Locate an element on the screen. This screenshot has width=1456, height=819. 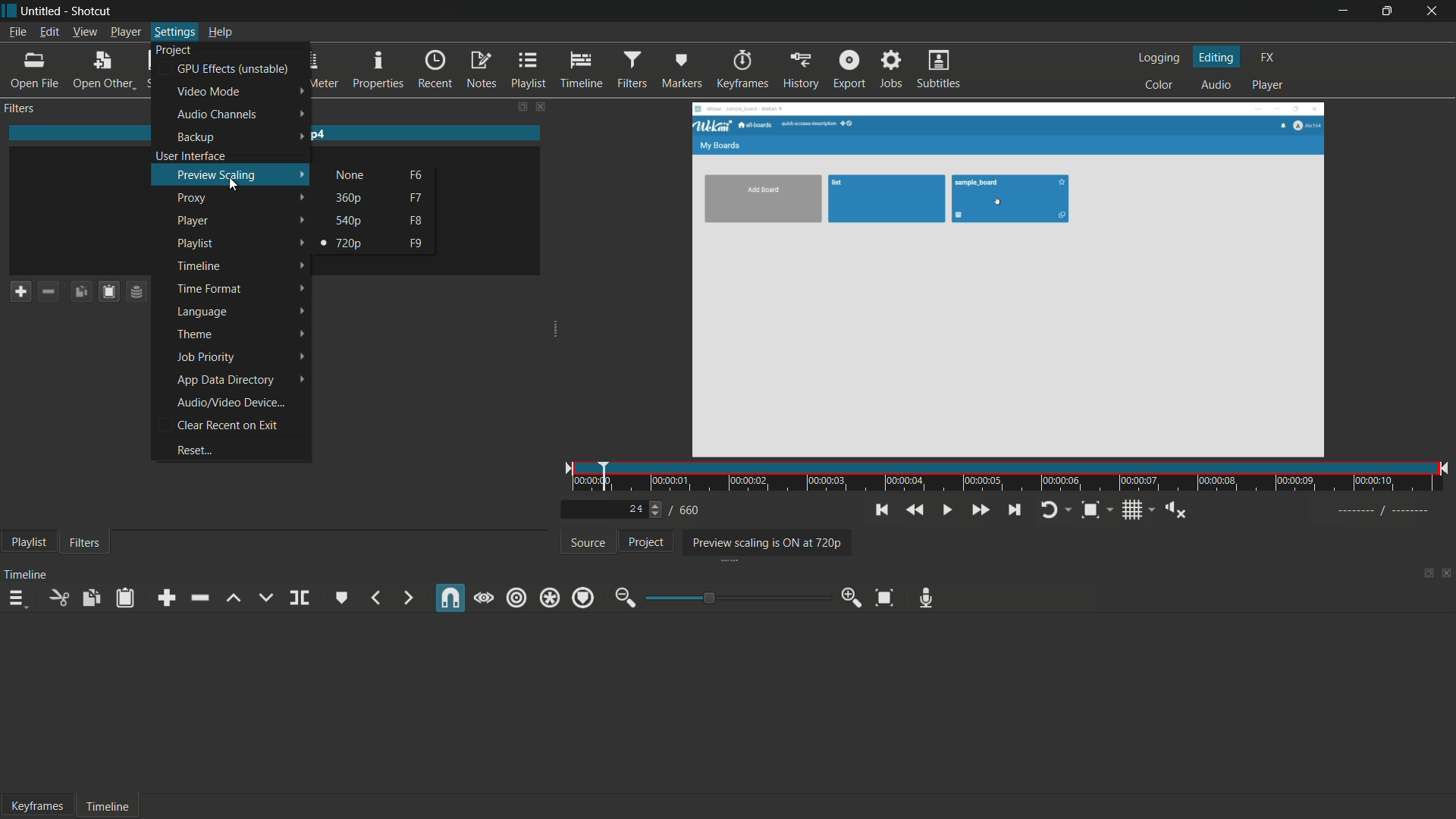
file menu is located at coordinates (16, 31).